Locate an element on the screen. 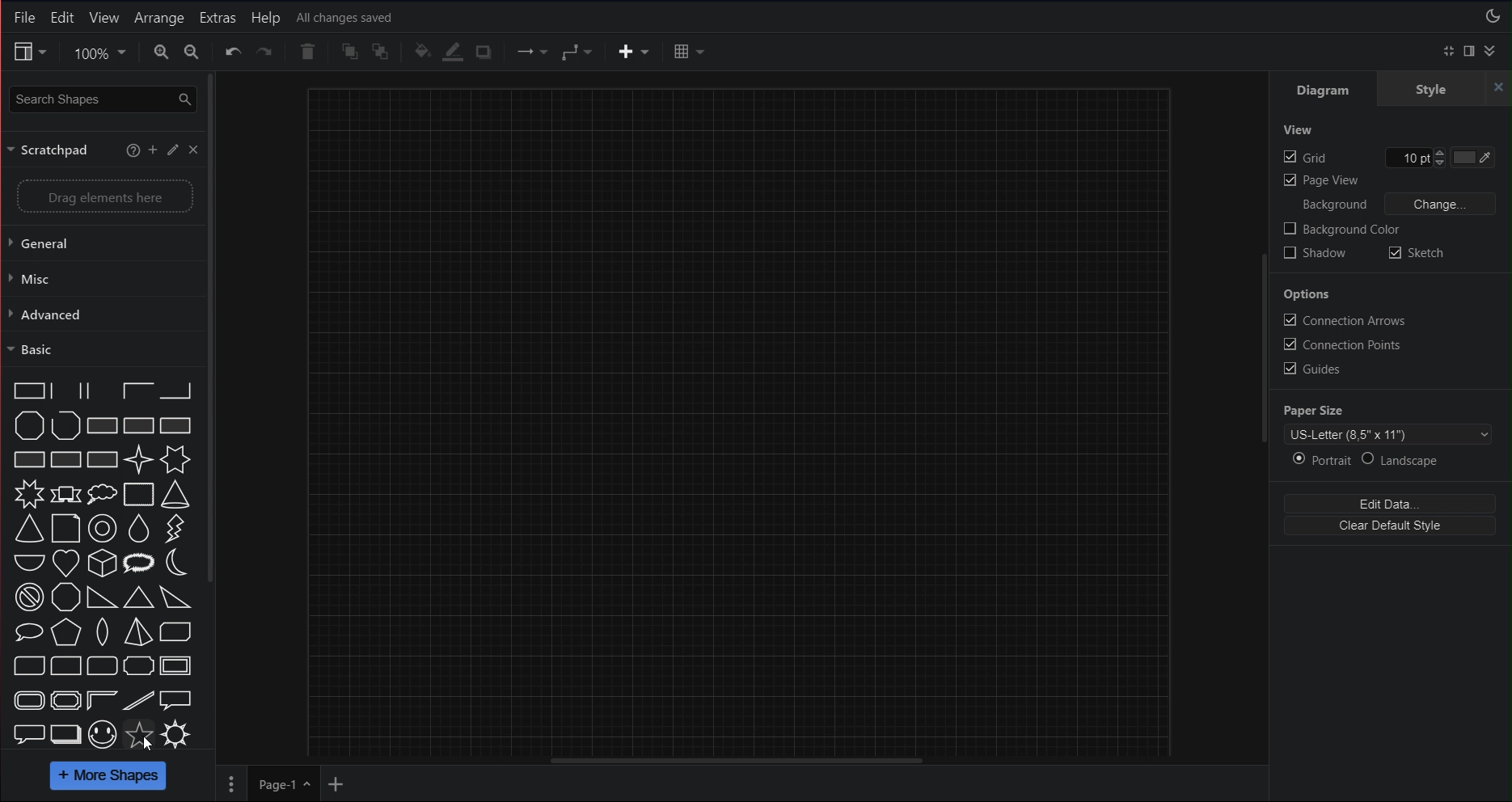 The width and height of the screenshot is (1512, 802). Extras is located at coordinates (219, 18).